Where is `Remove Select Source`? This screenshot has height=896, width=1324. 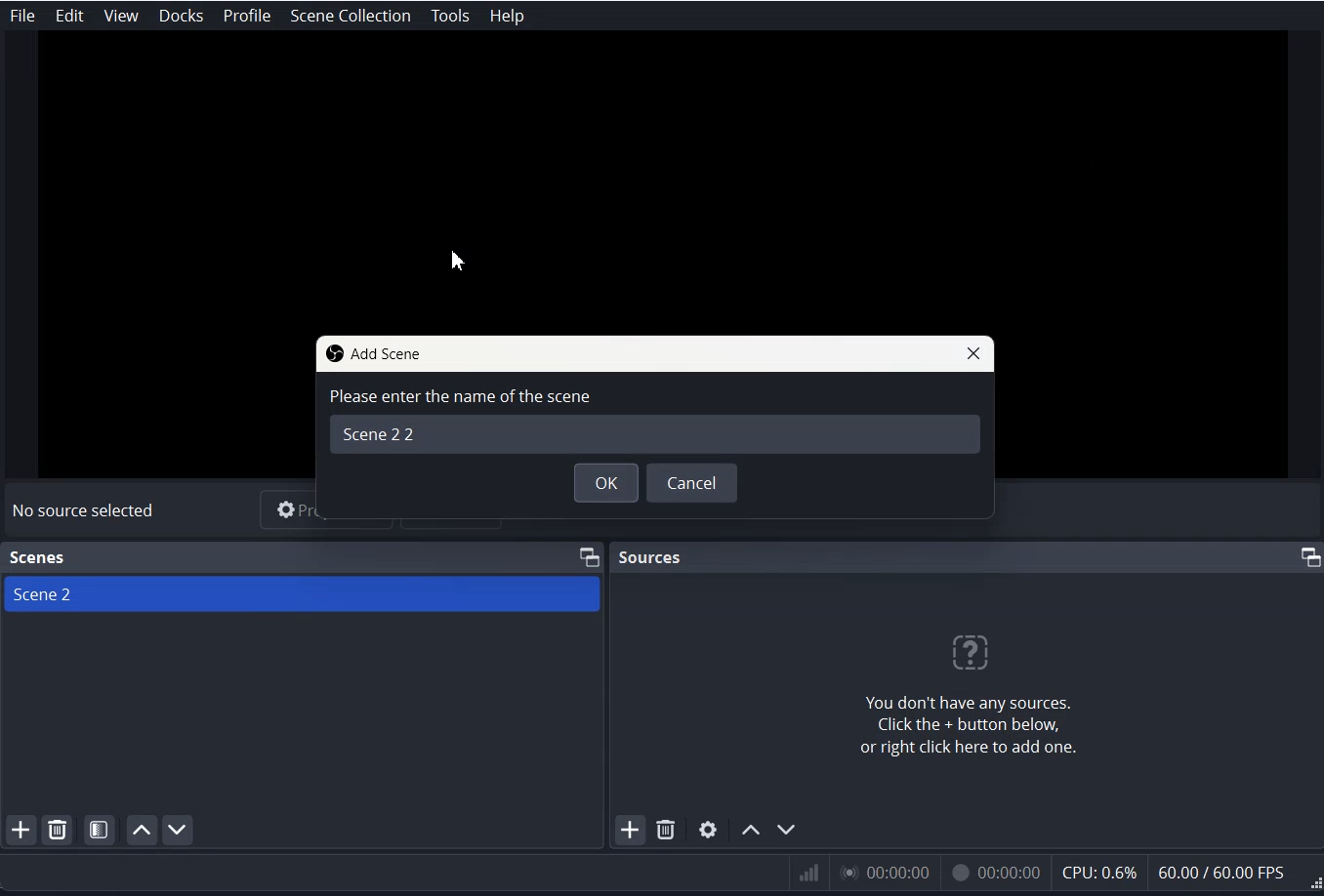 Remove Select Source is located at coordinates (667, 830).